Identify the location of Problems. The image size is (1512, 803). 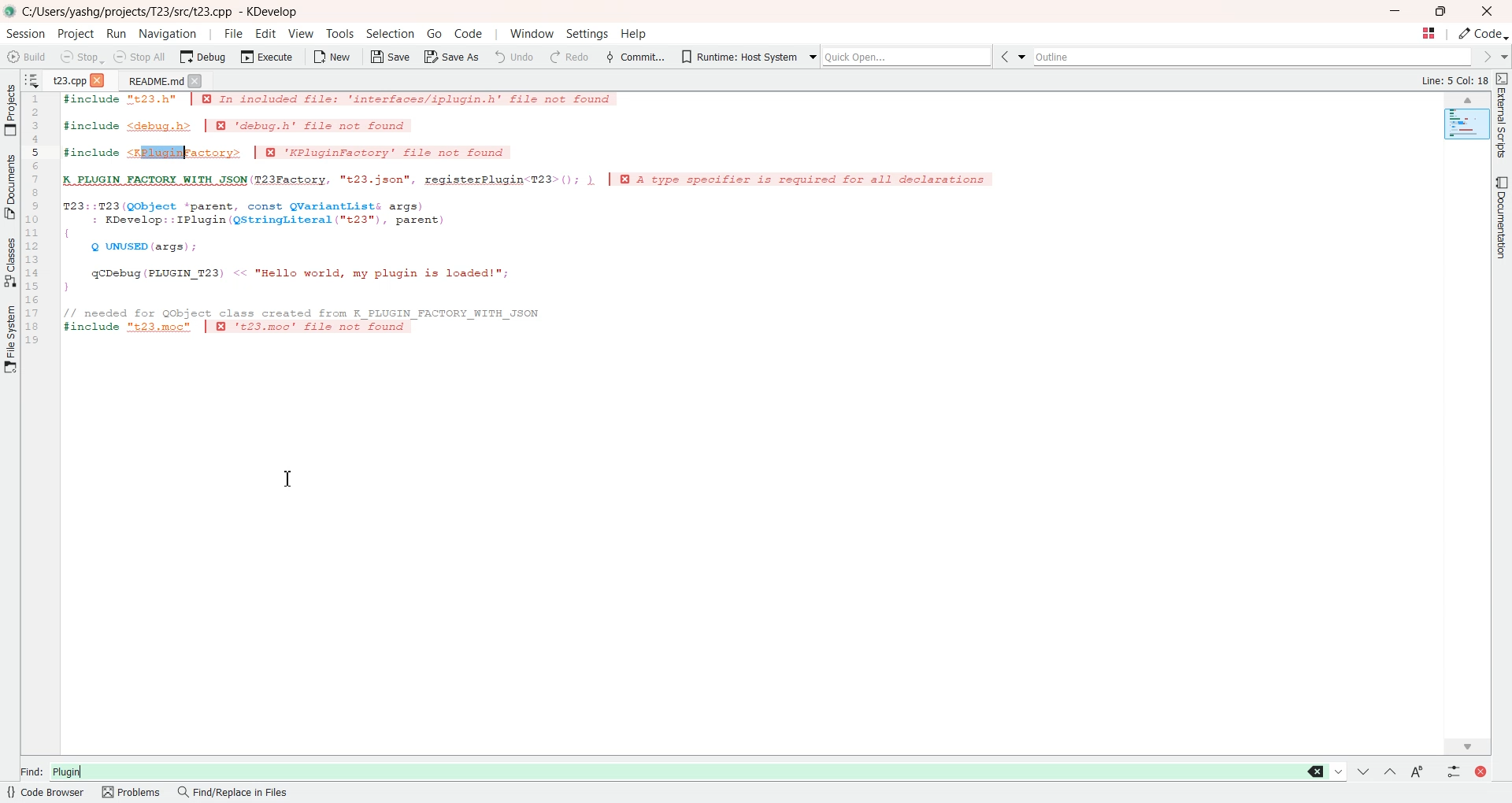
(132, 793).